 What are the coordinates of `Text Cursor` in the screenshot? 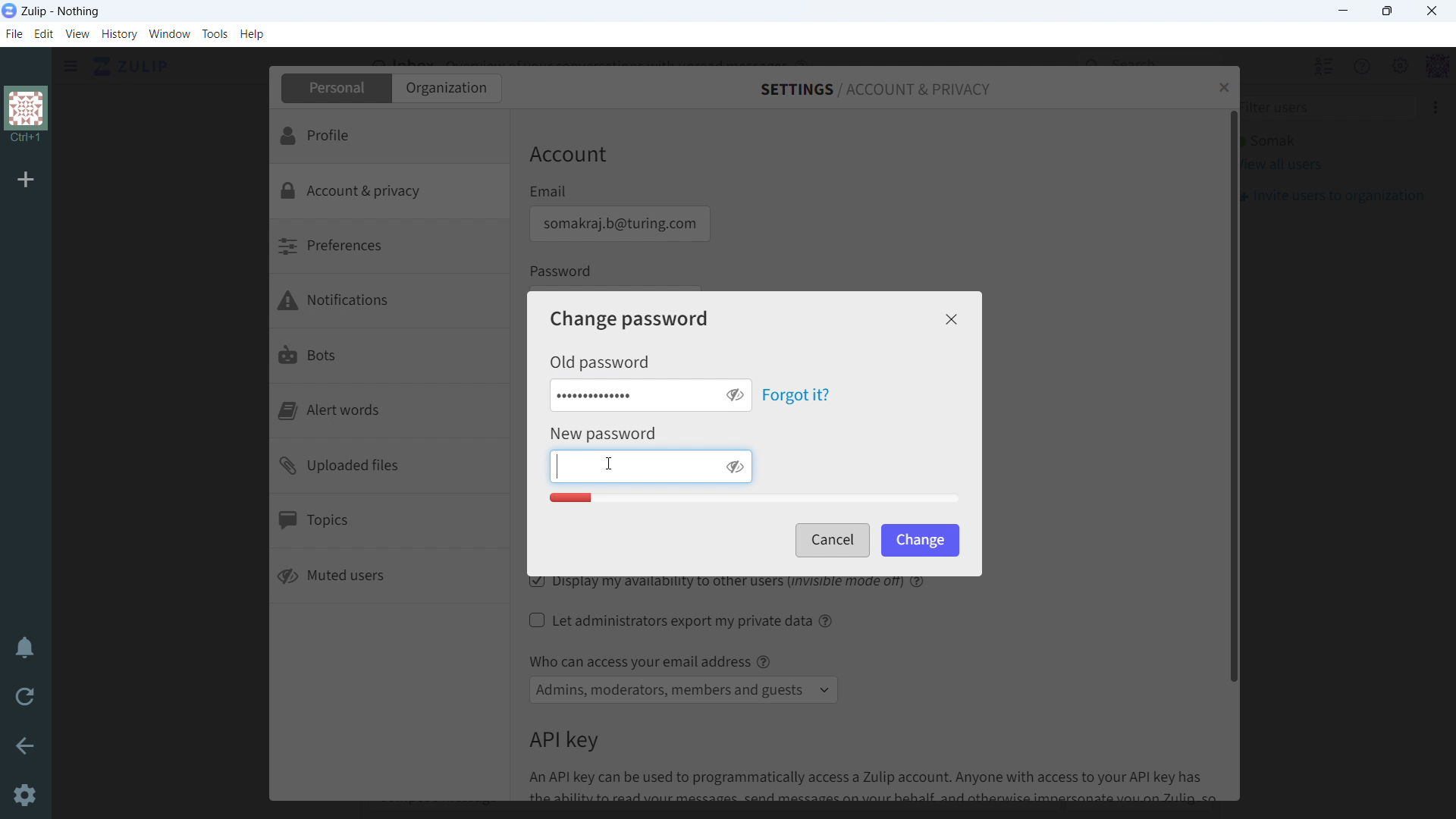 It's located at (561, 466).